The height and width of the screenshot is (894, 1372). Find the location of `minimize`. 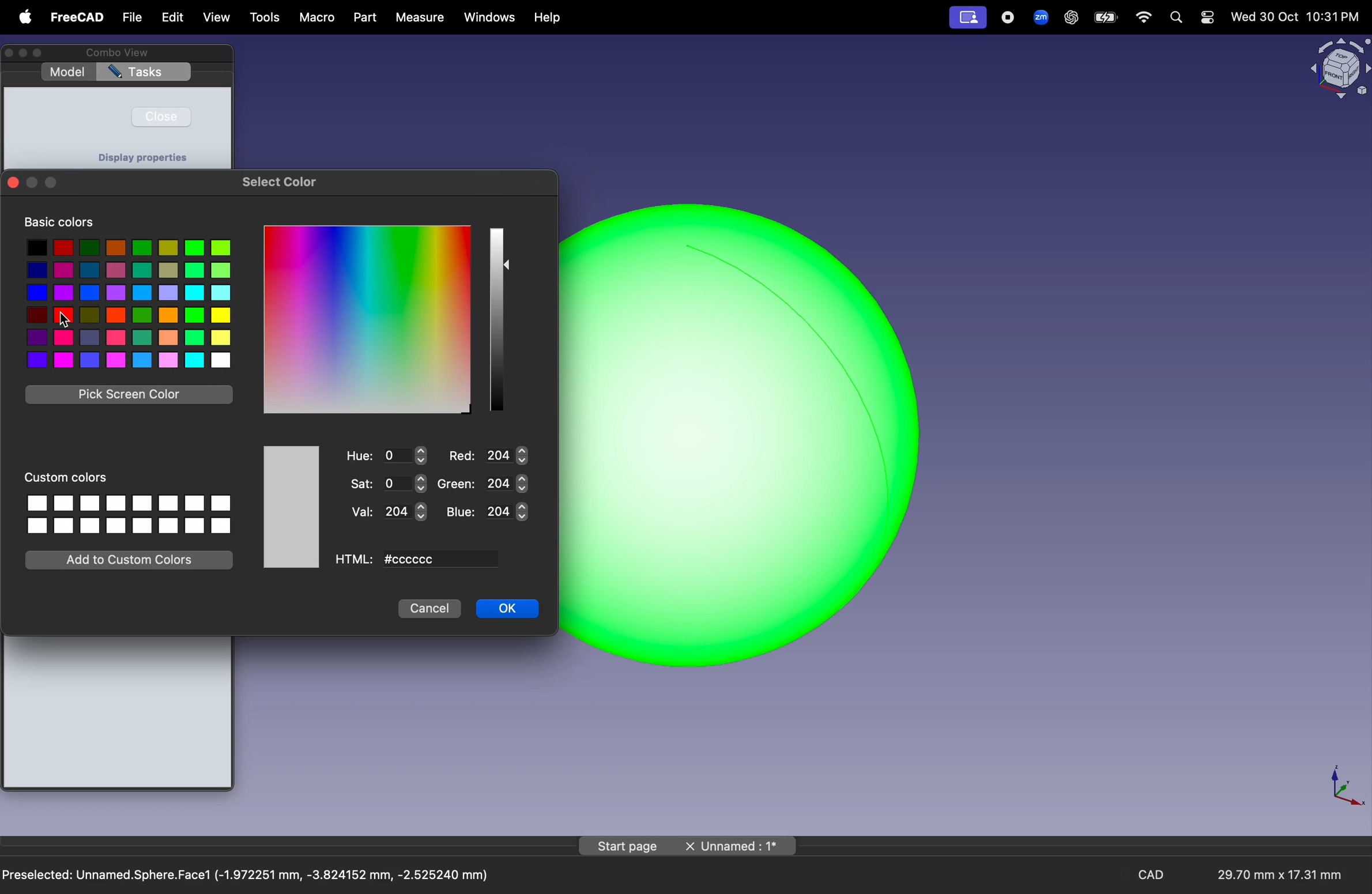

minimize is located at coordinates (32, 183).